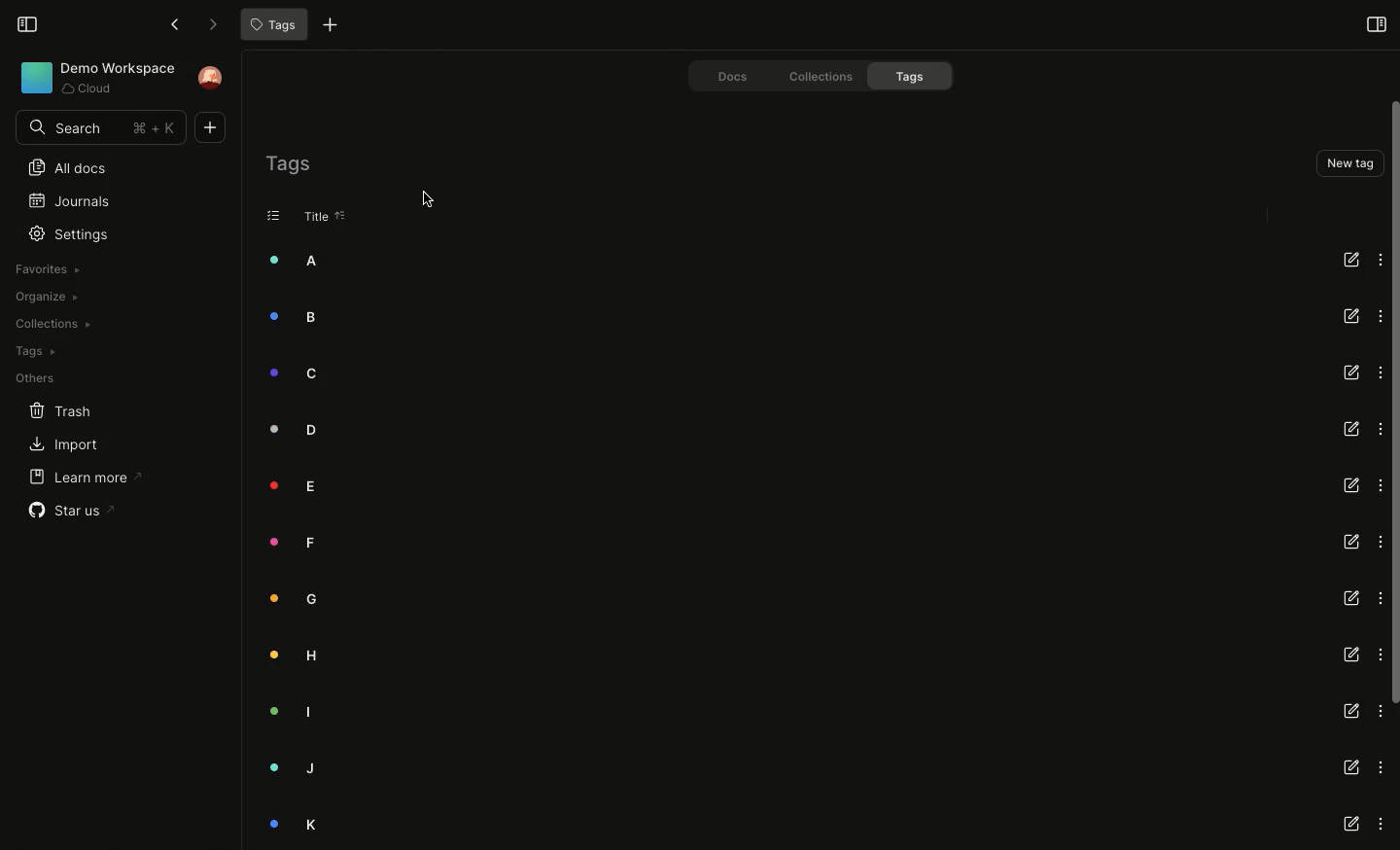 The width and height of the screenshot is (1400, 850). What do you see at coordinates (914, 76) in the screenshot?
I see `Tags` at bounding box center [914, 76].